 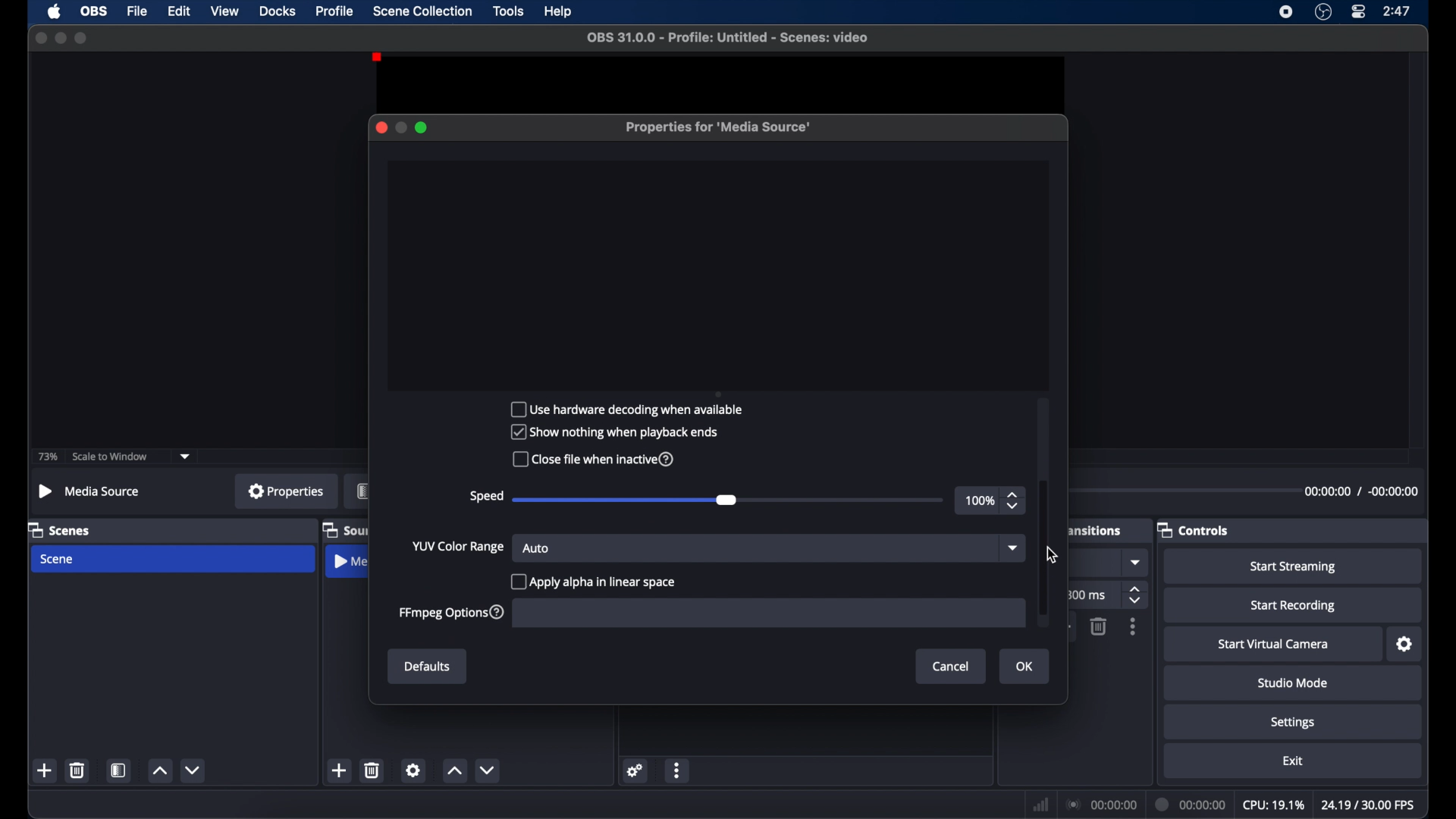 What do you see at coordinates (381, 127) in the screenshot?
I see `close` at bounding box center [381, 127].